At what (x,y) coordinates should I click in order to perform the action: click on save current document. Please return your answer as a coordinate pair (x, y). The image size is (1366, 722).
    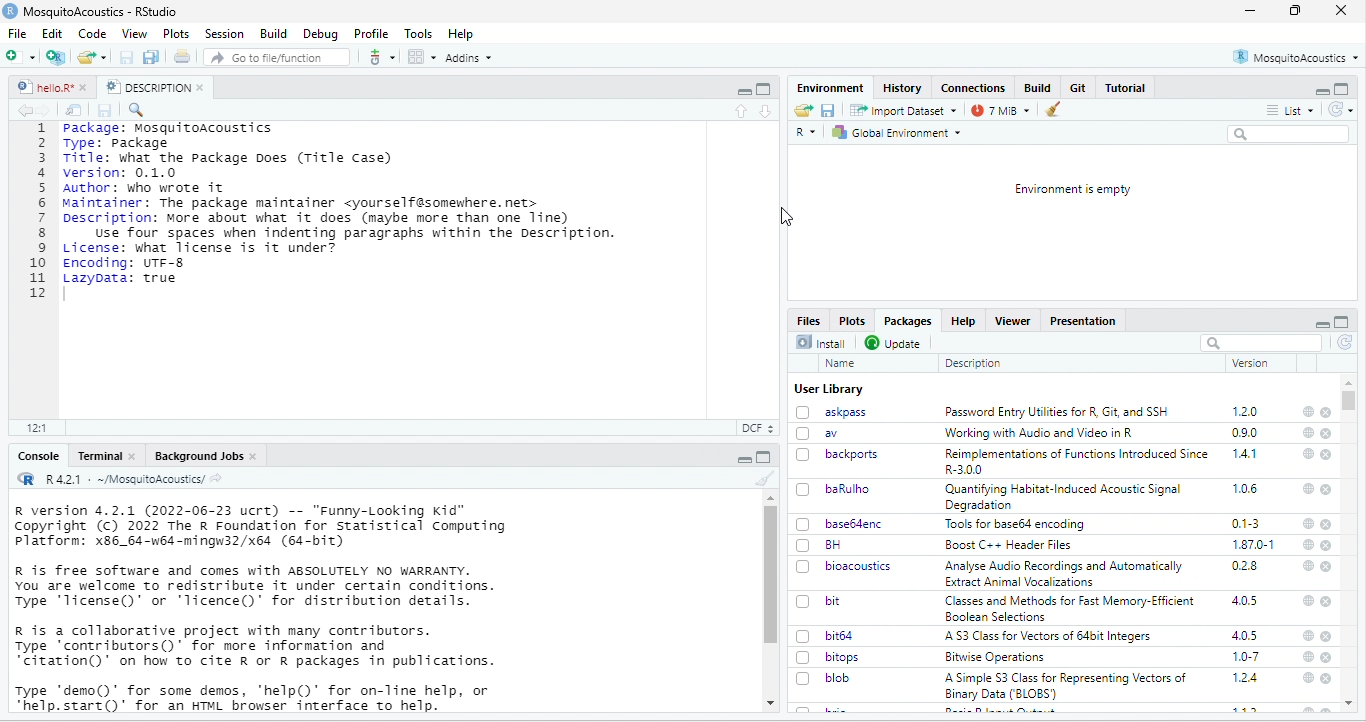
    Looking at the image, I should click on (127, 57).